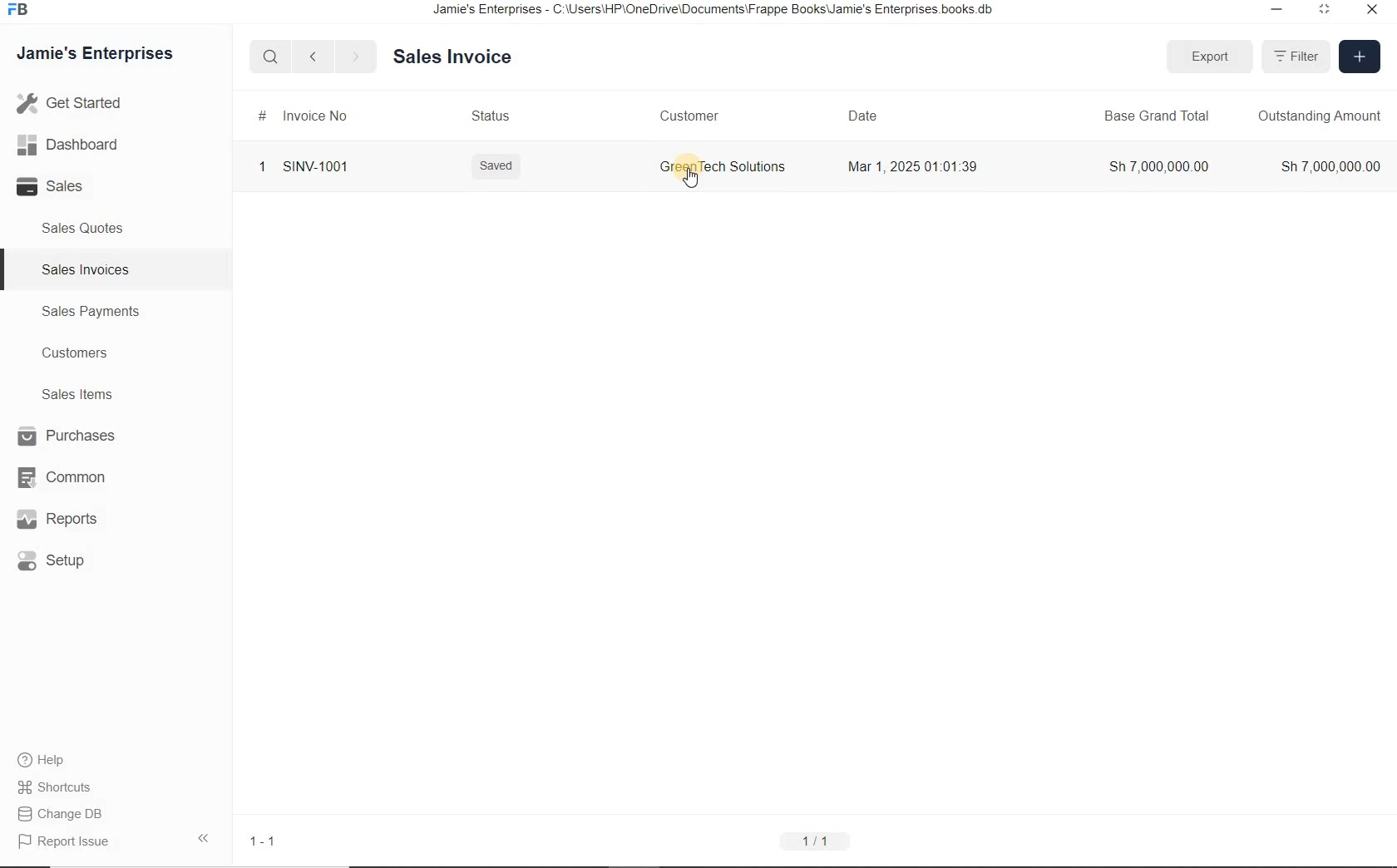 The height and width of the screenshot is (868, 1397). I want to click on Common, so click(59, 476).